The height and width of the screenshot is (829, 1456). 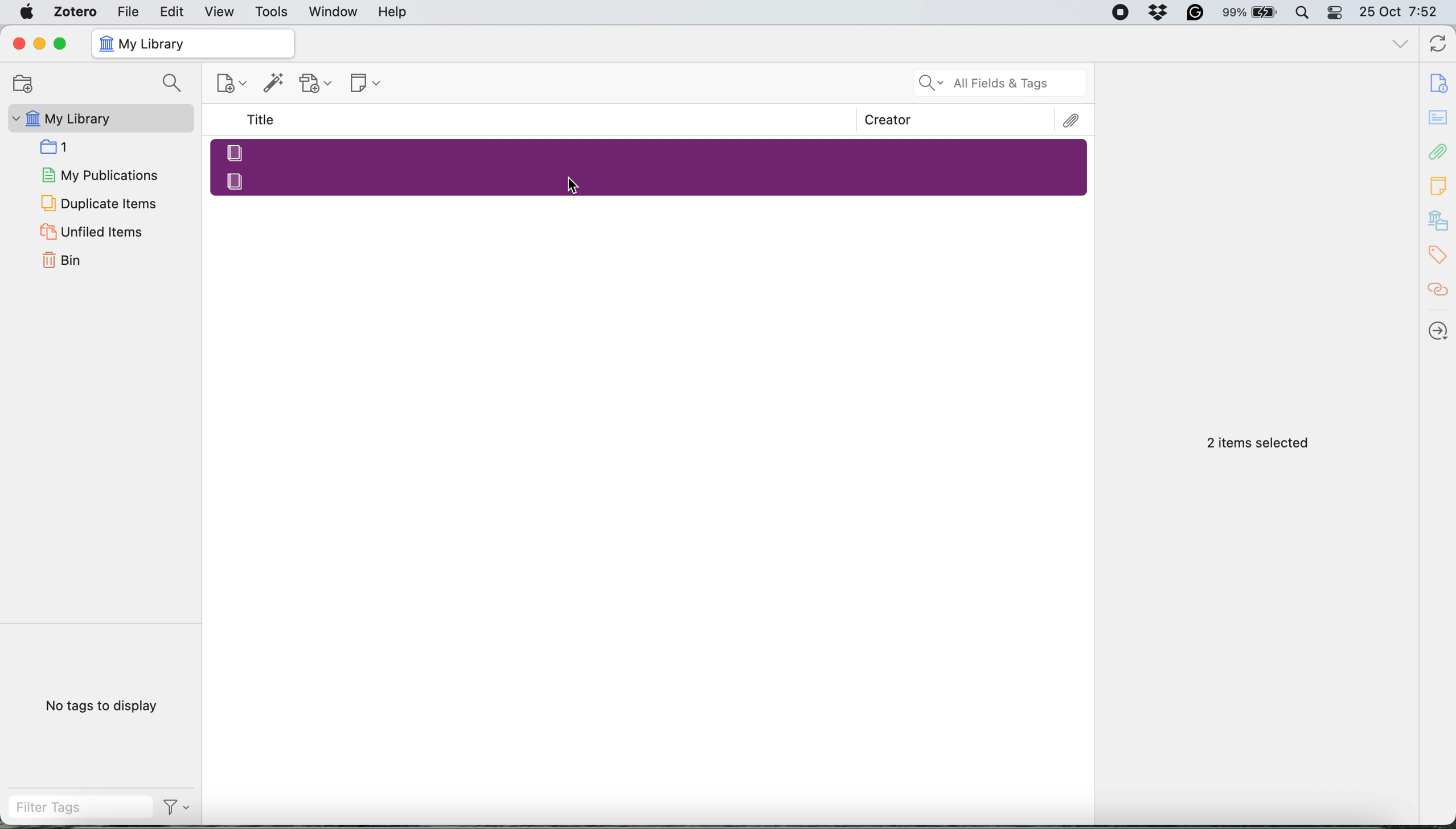 What do you see at coordinates (1336, 12) in the screenshot?
I see `Control Centre` at bounding box center [1336, 12].